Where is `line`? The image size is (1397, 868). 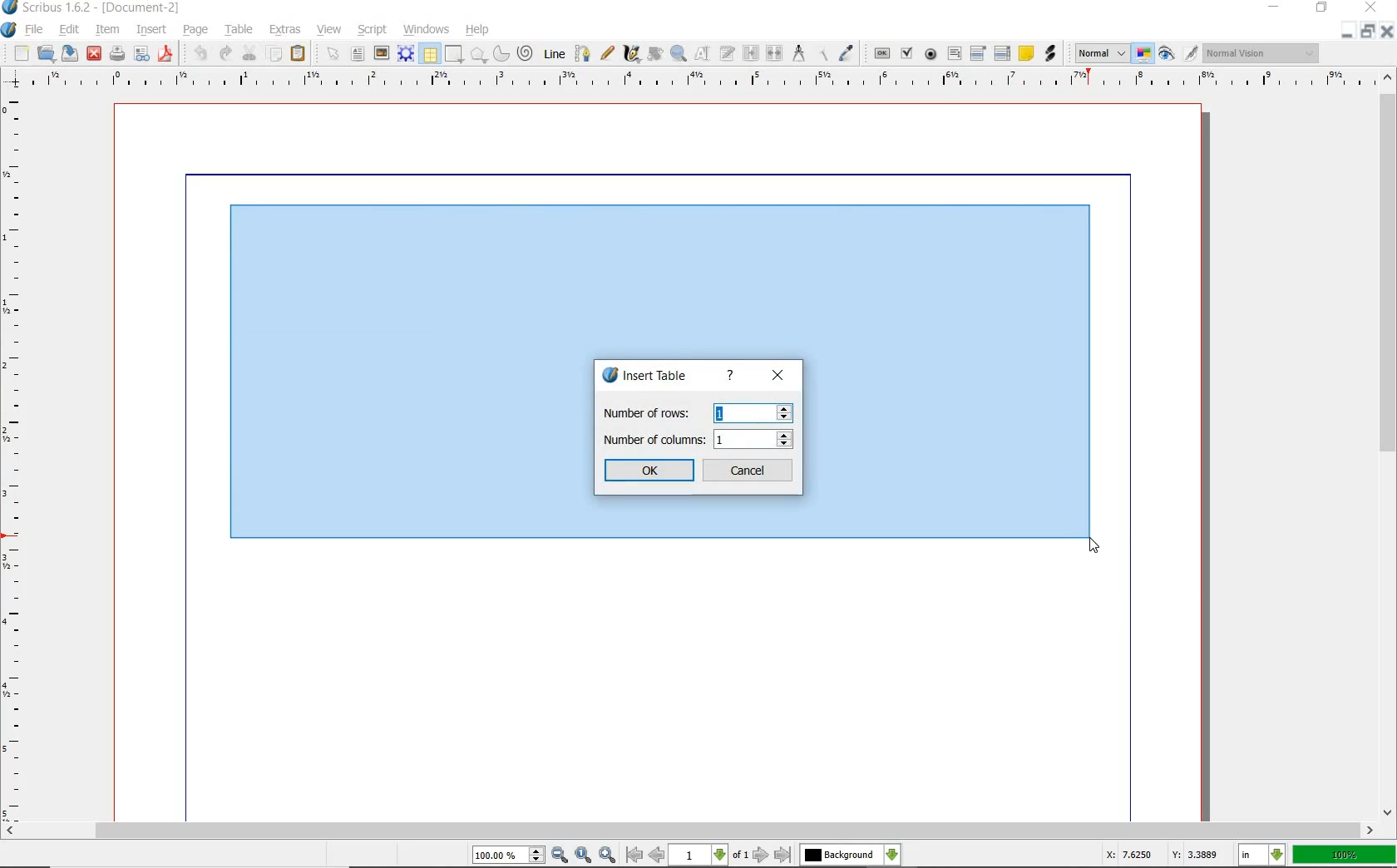
line is located at coordinates (555, 55).